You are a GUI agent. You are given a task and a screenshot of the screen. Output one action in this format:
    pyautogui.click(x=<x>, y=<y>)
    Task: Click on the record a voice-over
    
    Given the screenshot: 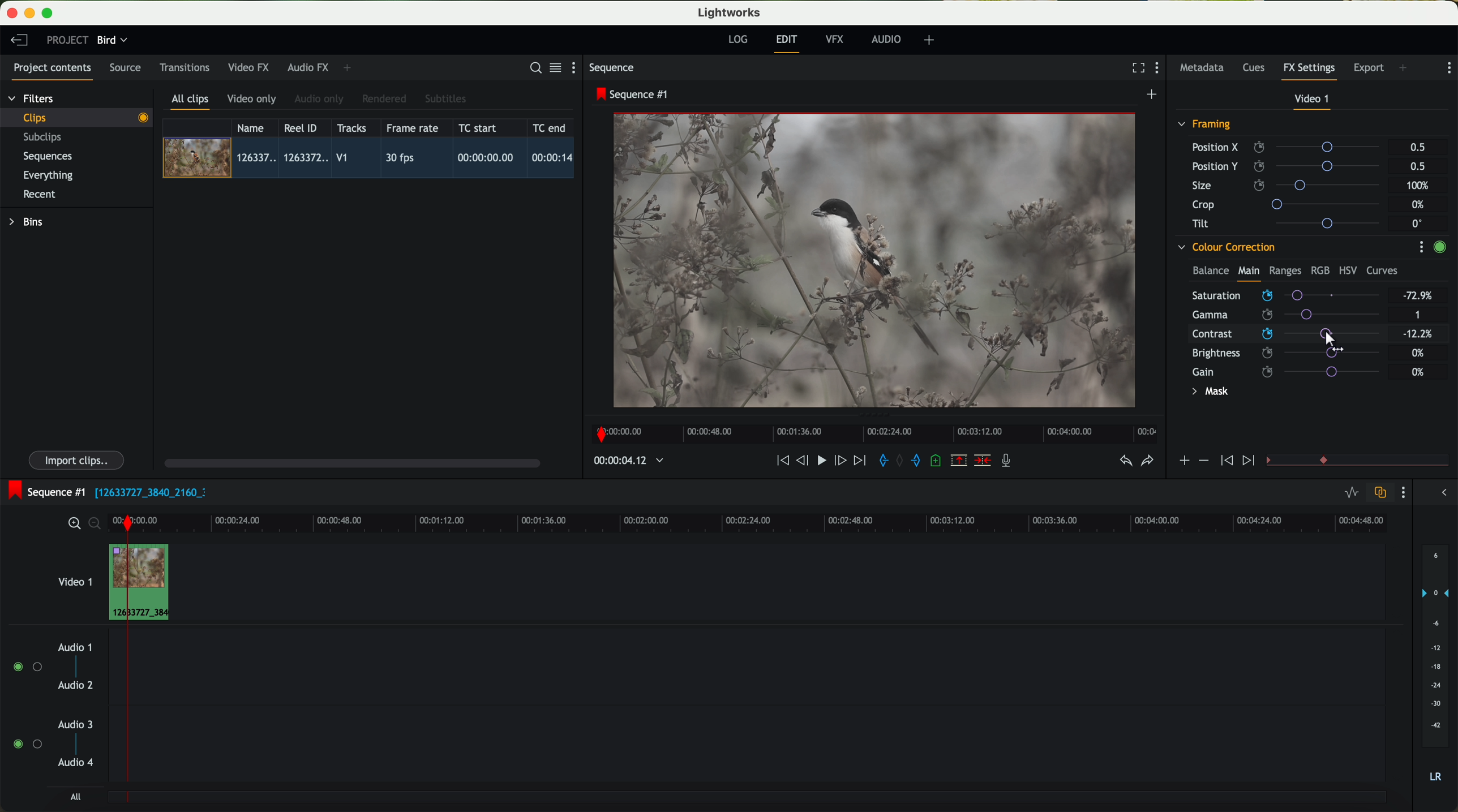 What is the action you would take?
    pyautogui.click(x=1010, y=462)
    